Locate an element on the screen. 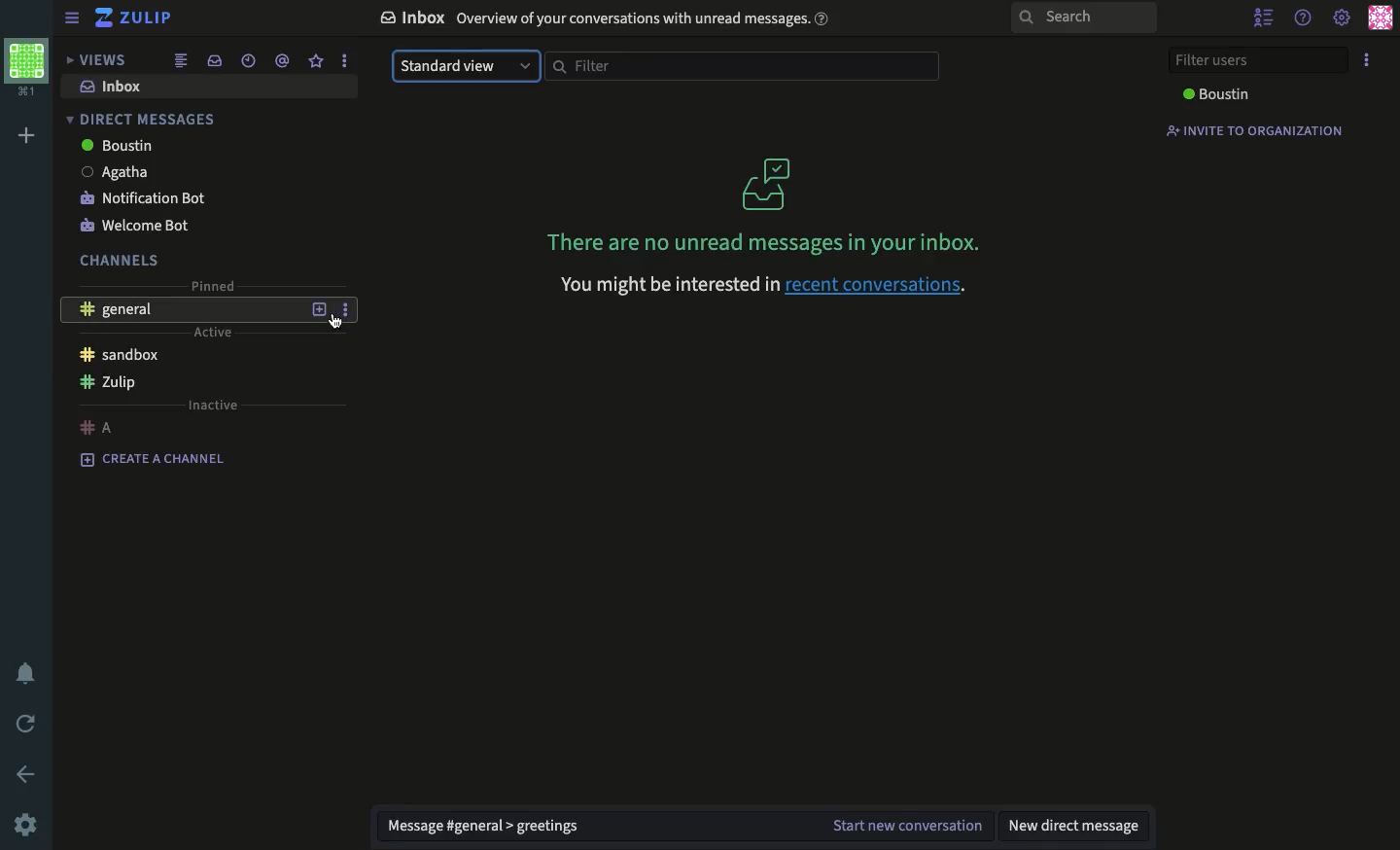 This screenshot has width=1400, height=850. create a channel is located at coordinates (151, 456).